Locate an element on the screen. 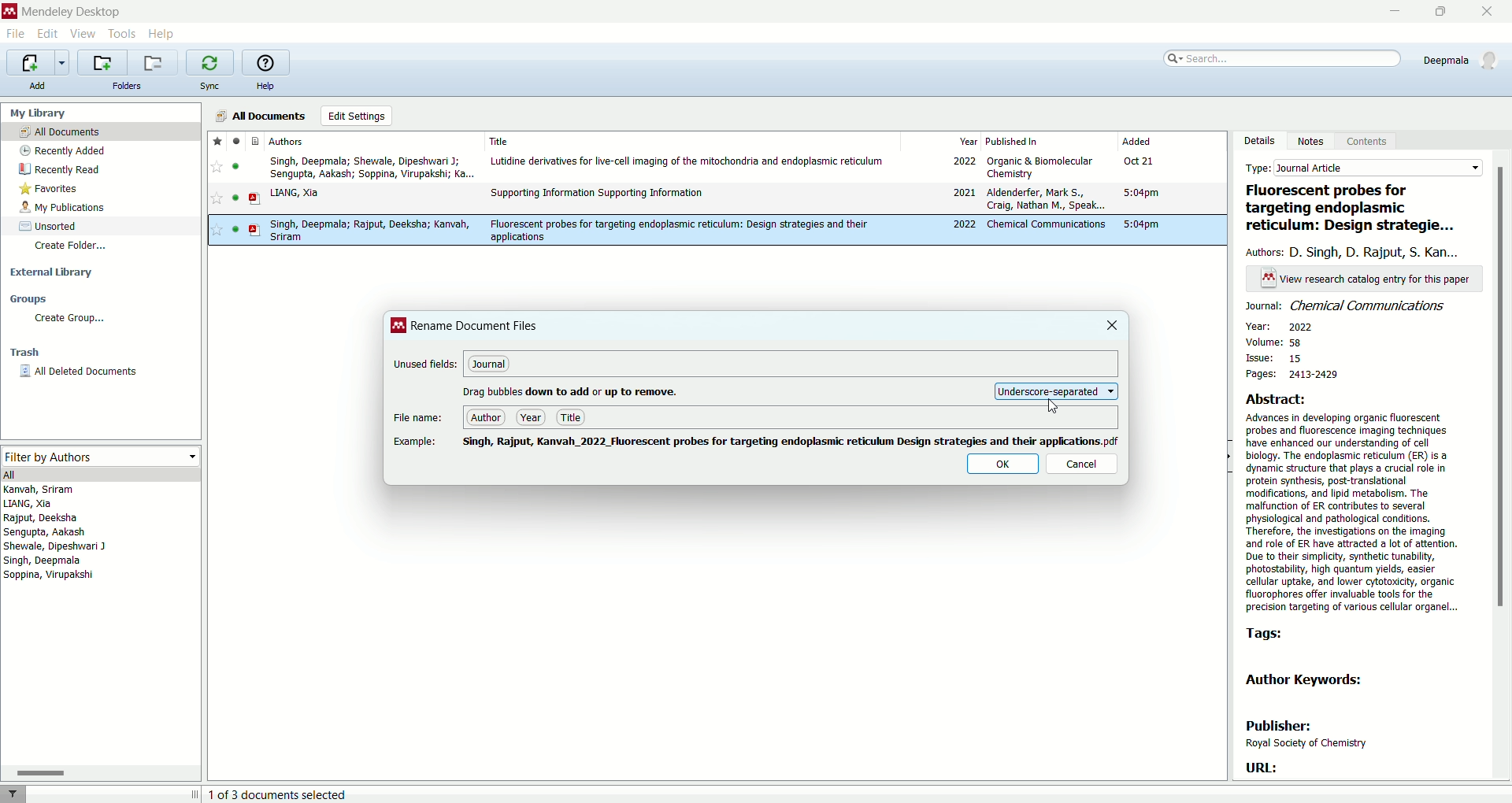  trash is located at coordinates (25, 354).